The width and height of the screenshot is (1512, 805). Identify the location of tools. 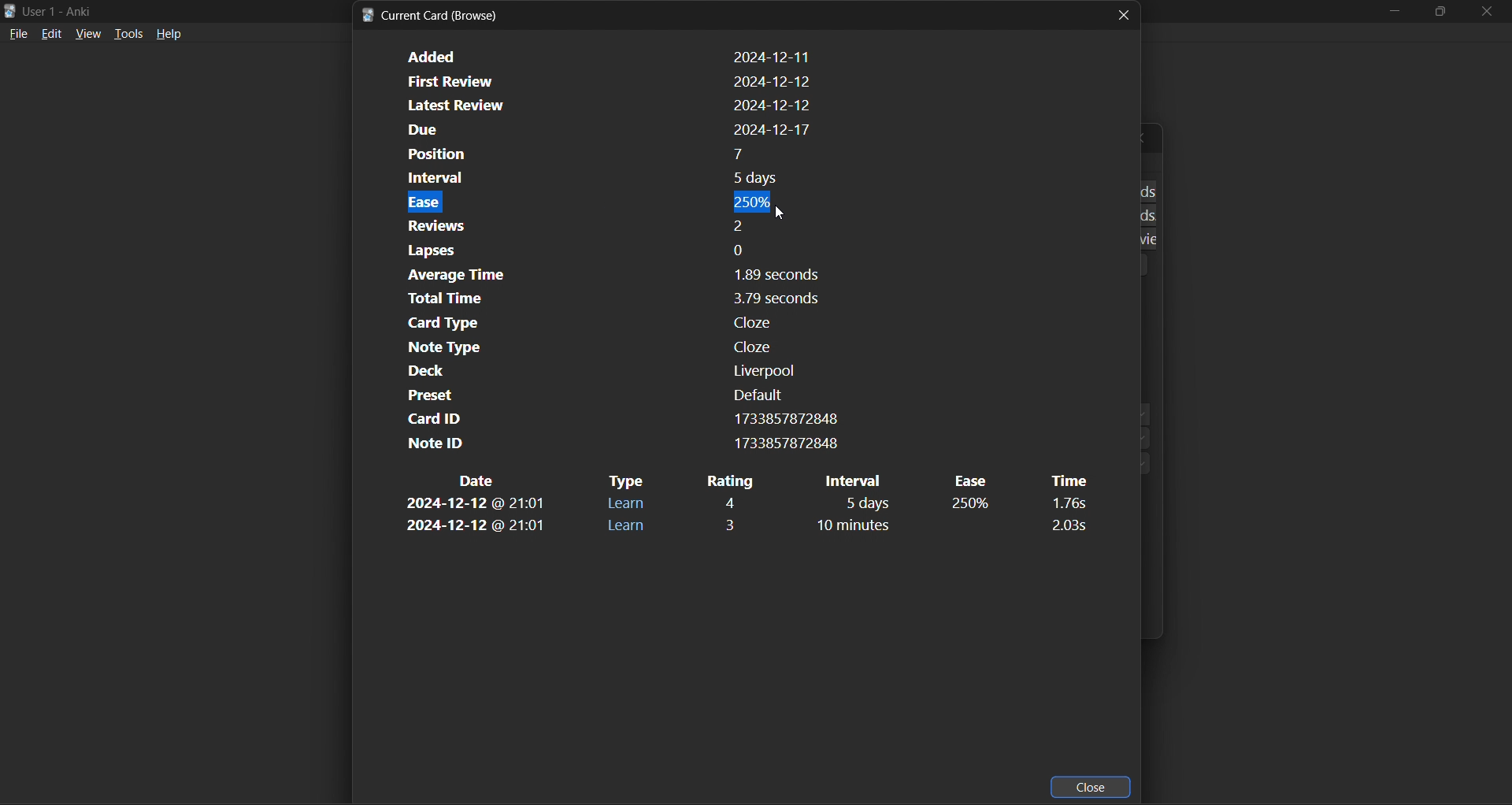
(128, 35).